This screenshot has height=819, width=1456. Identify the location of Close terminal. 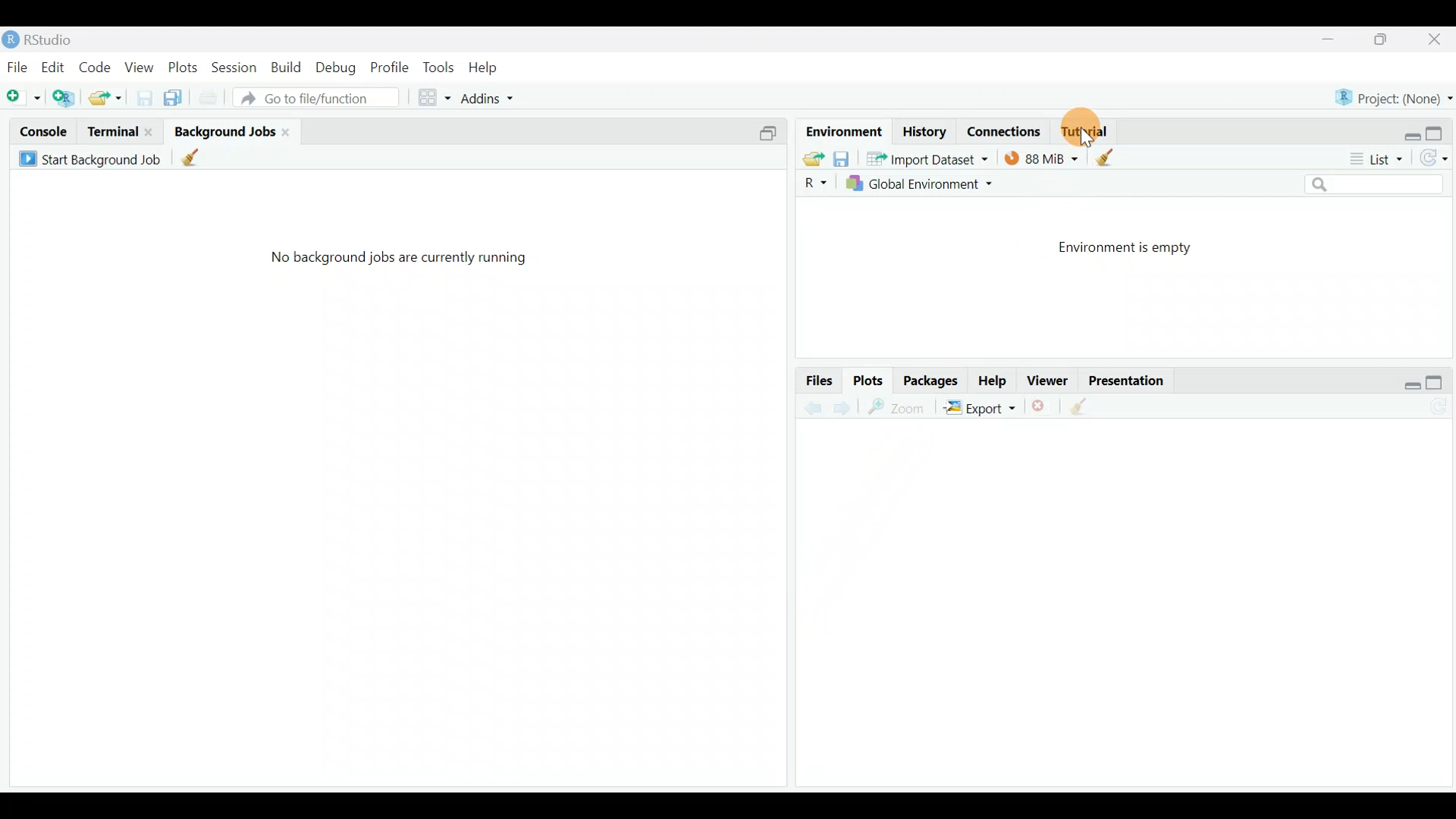
(149, 130).